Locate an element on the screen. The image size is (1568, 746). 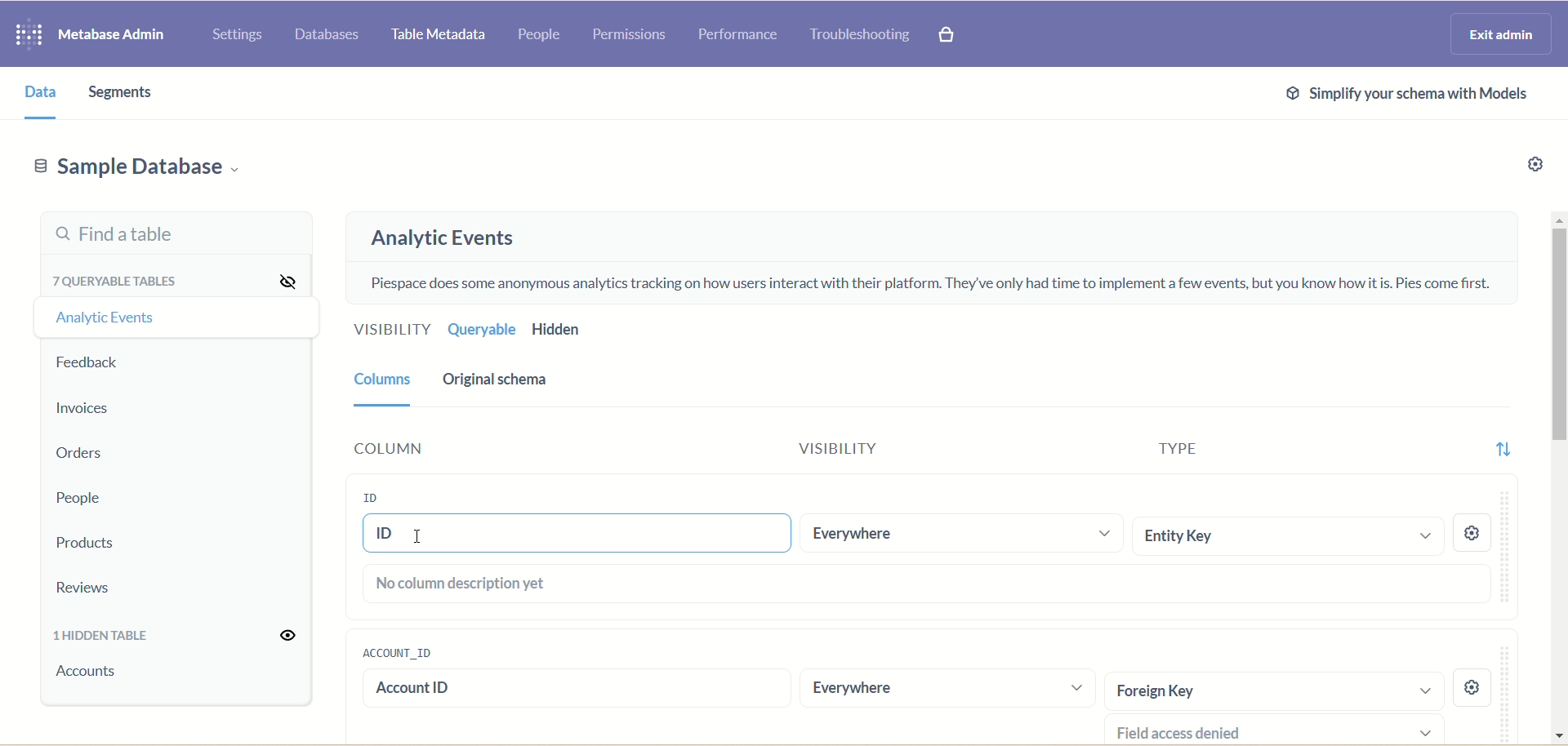
ID is located at coordinates (374, 495).